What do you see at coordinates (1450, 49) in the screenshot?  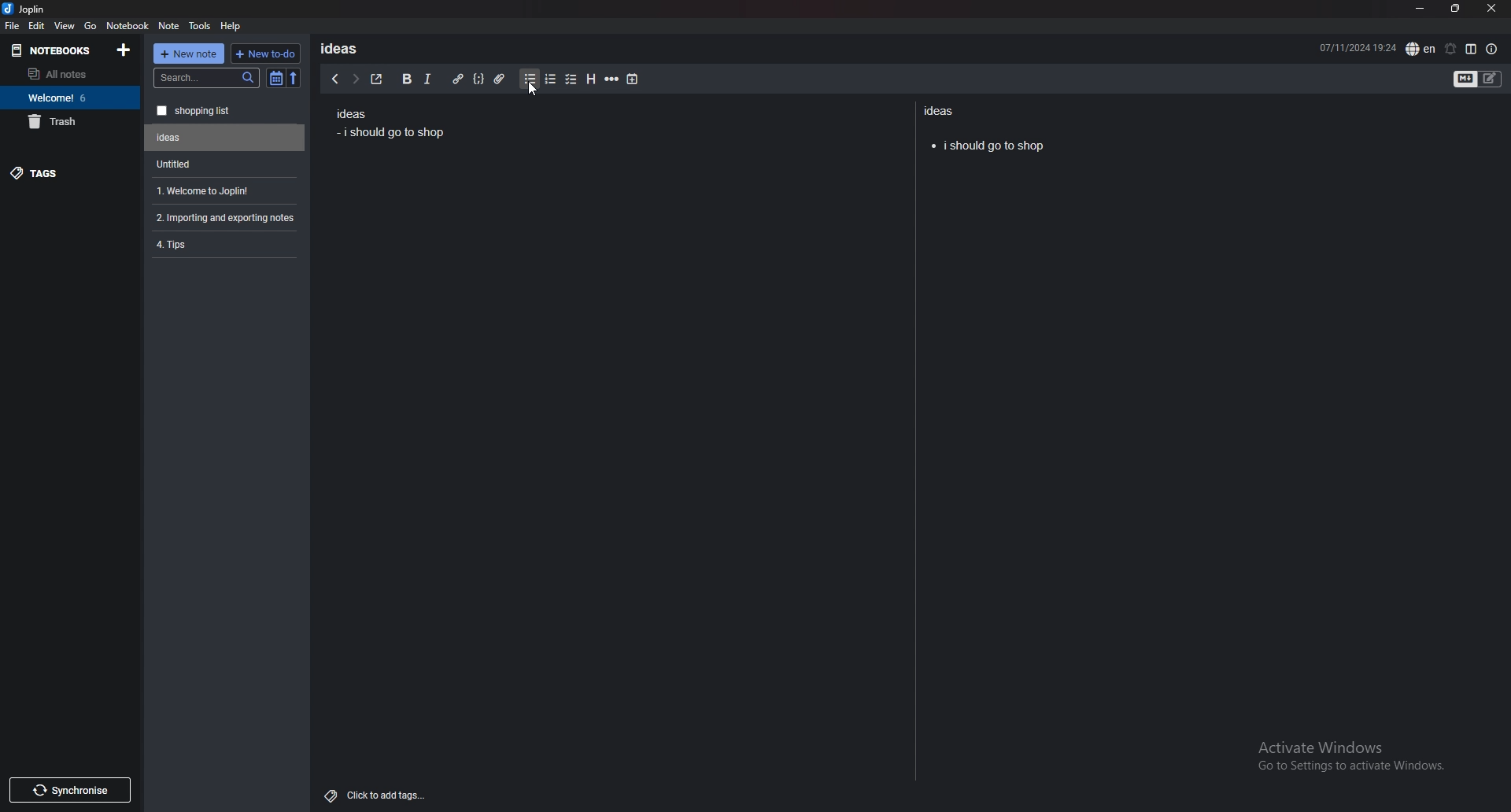 I see `set alarm` at bounding box center [1450, 49].